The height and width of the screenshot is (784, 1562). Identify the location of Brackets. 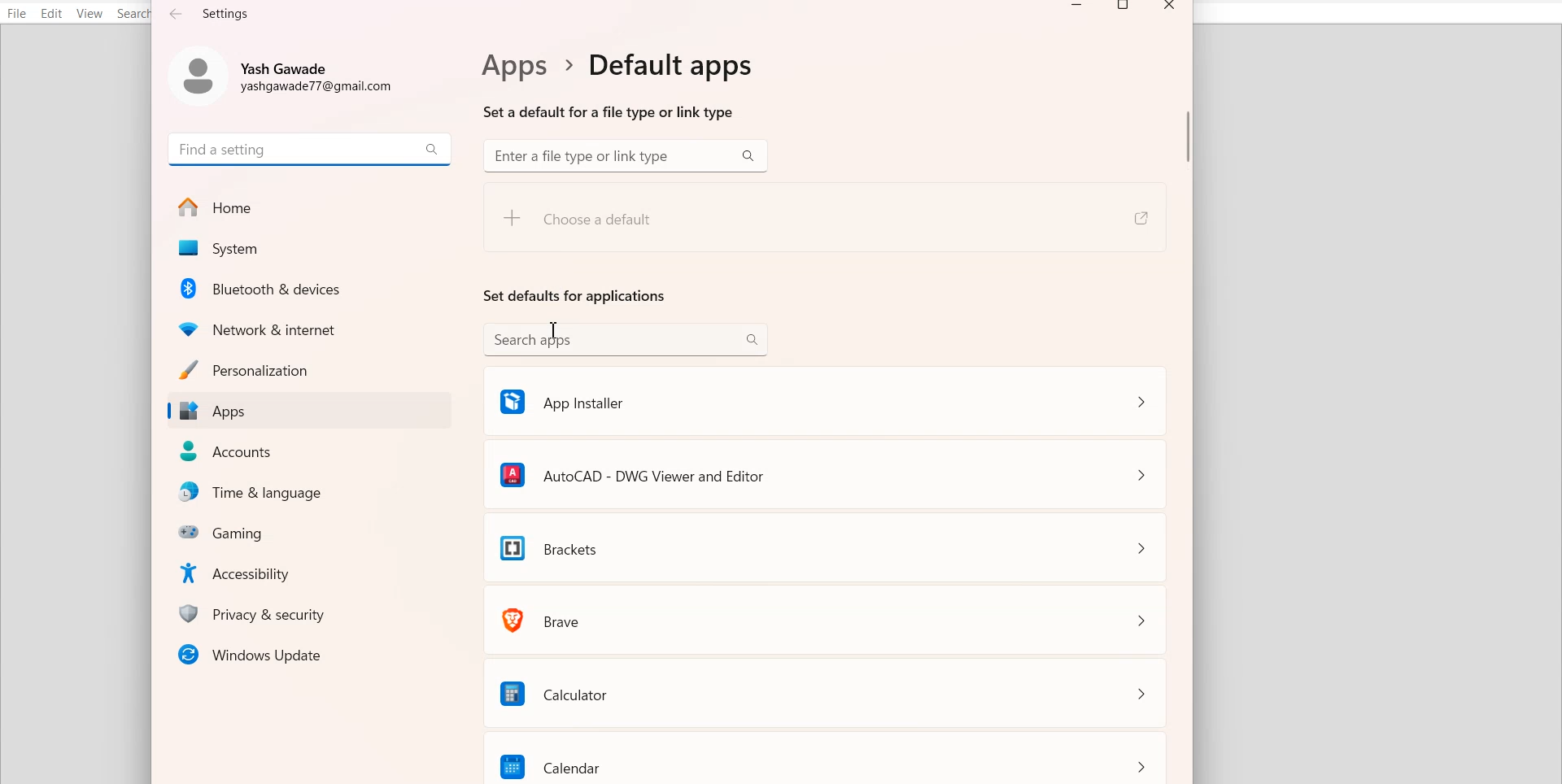
(827, 547).